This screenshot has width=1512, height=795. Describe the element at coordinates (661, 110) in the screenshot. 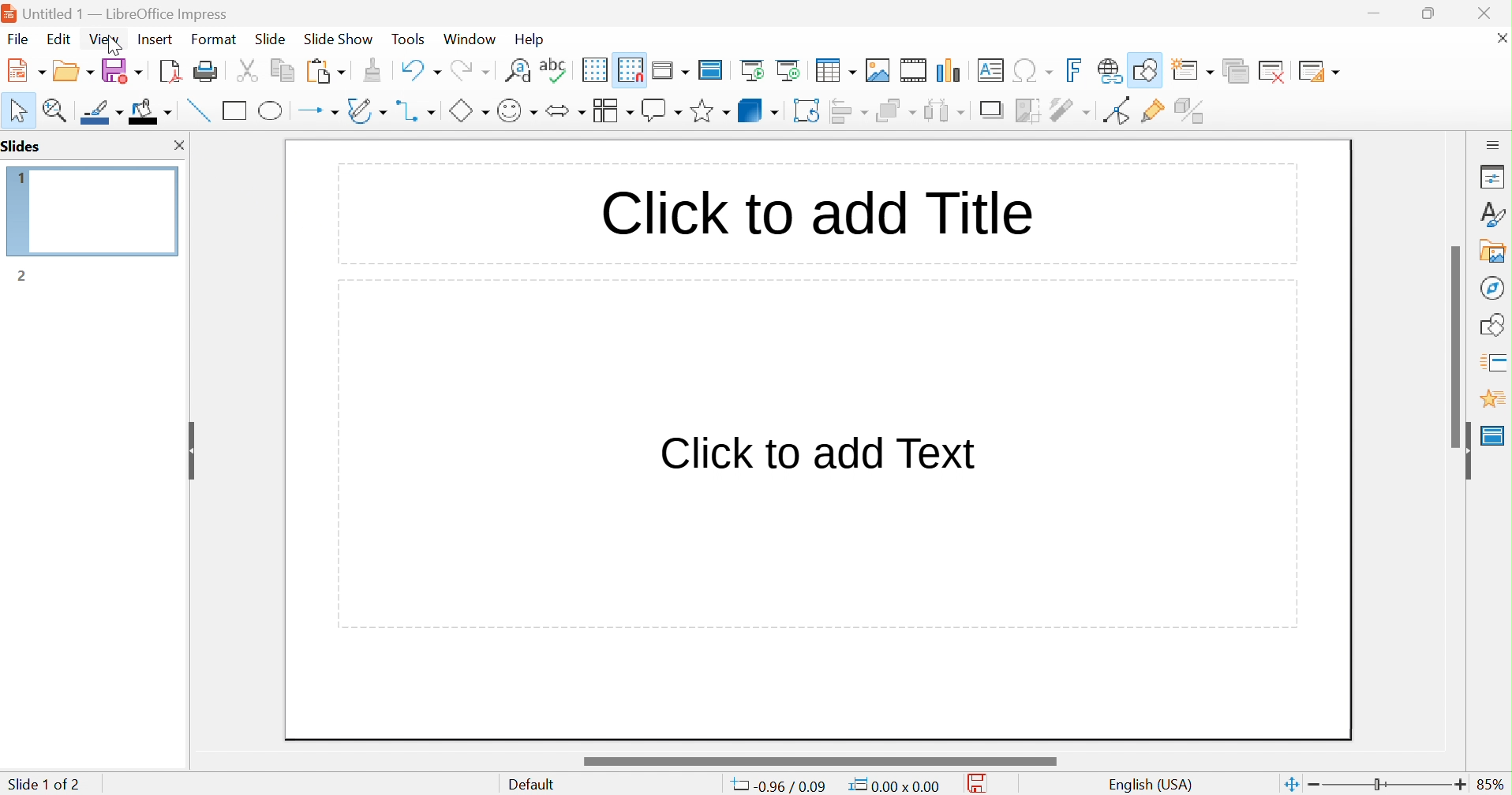

I see `callout shapes` at that location.